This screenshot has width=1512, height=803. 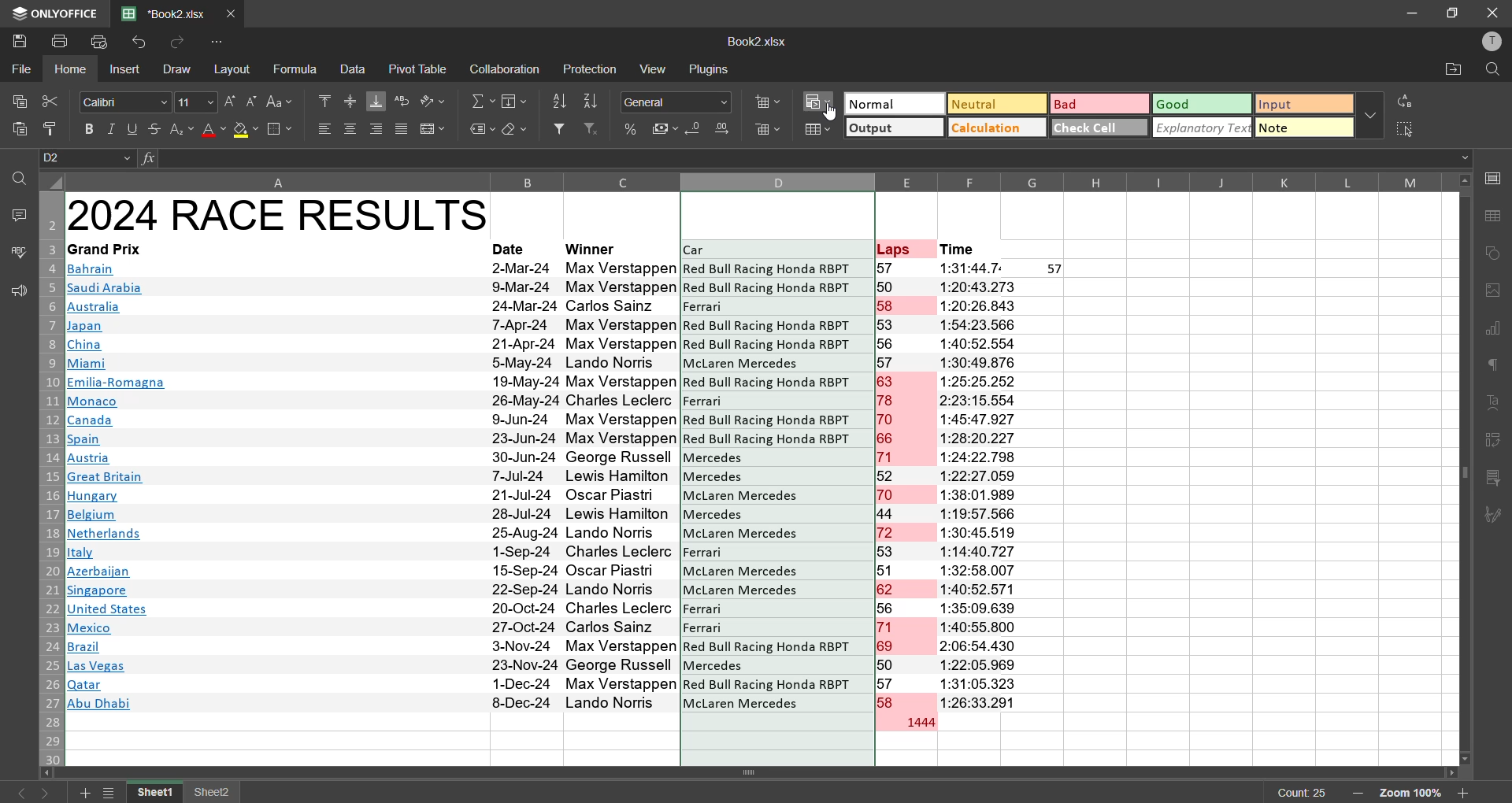 What do you see at coordinates (1495, 253) in the screenshot?
I see `shapes` at bounding box center [1495, 253].